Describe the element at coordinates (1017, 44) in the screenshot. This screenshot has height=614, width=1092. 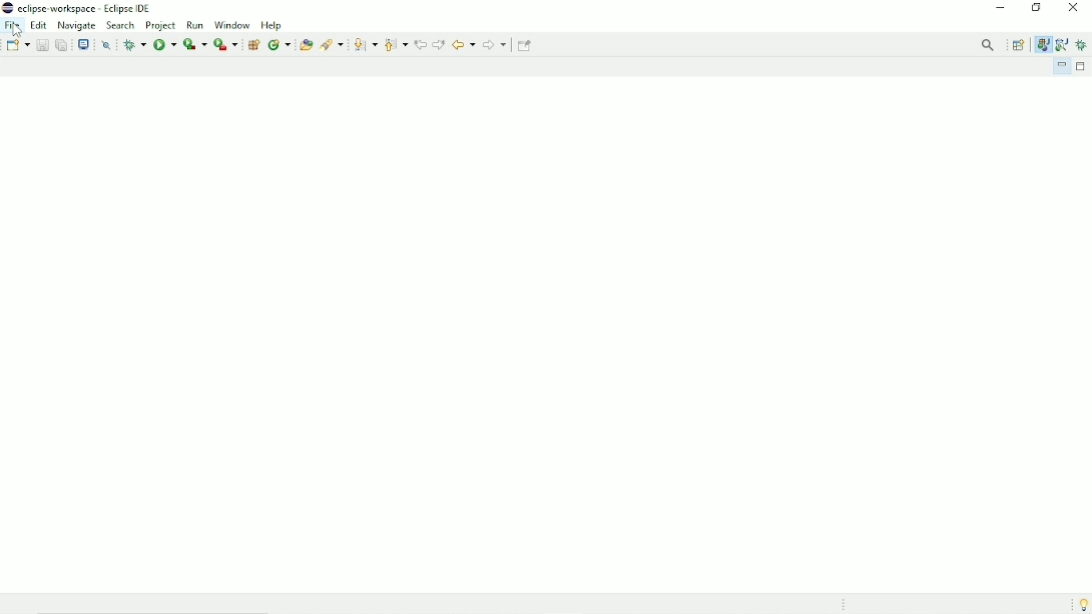
I see `Open perspective` at that location.